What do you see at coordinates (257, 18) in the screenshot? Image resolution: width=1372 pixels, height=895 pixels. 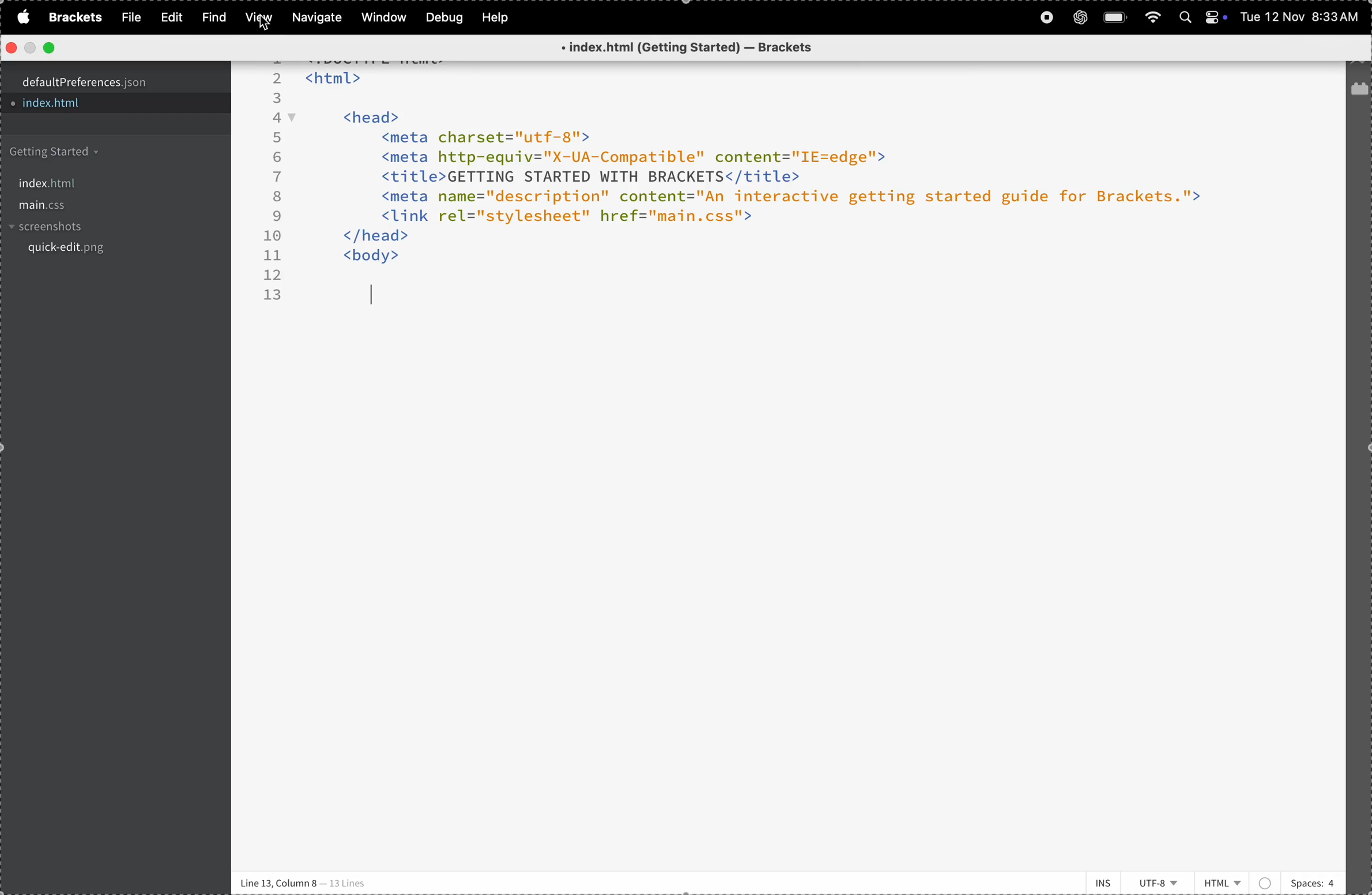 I see `view` at bounding box center [257, 18].